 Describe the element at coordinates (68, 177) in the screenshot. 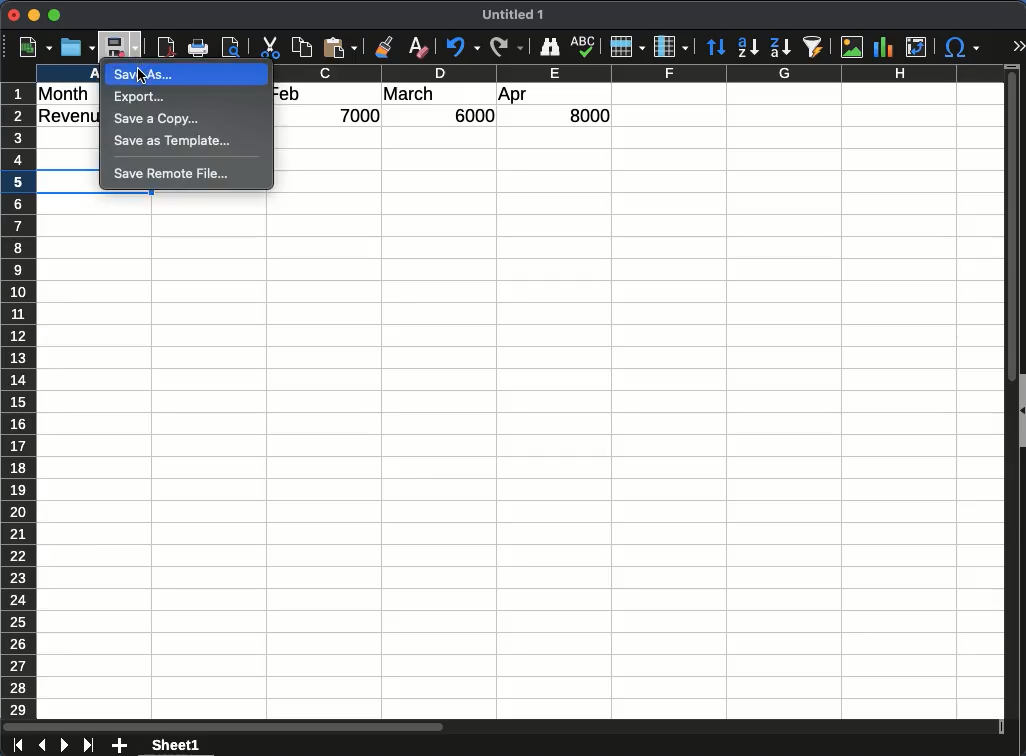

I see `selection` at that location.